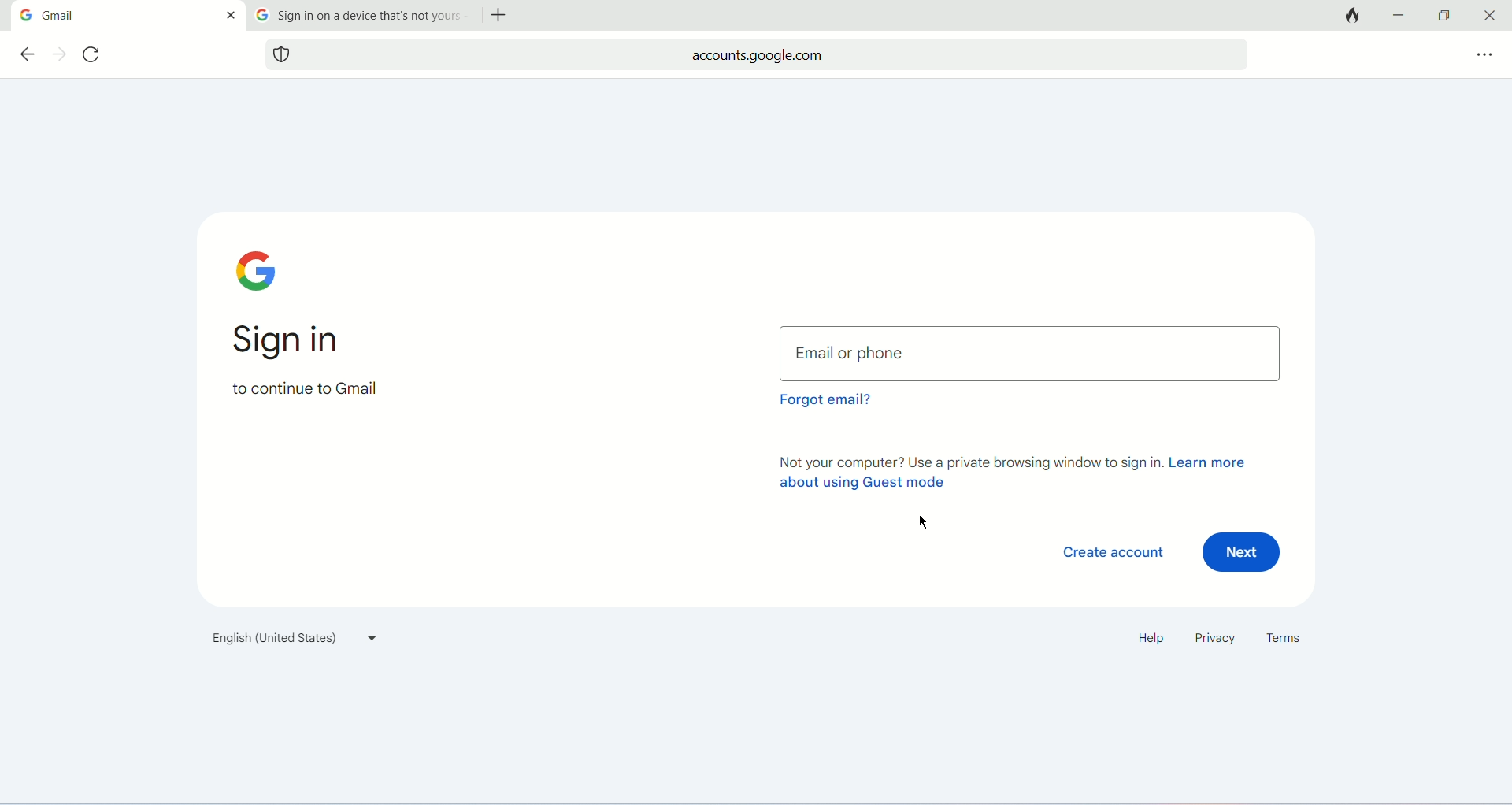 The height and width of the screenshot is (805, 1512). What do you see at coordinates (261, 15) in the screenshot?
I see `google logo` at bounding box center [261, 15].